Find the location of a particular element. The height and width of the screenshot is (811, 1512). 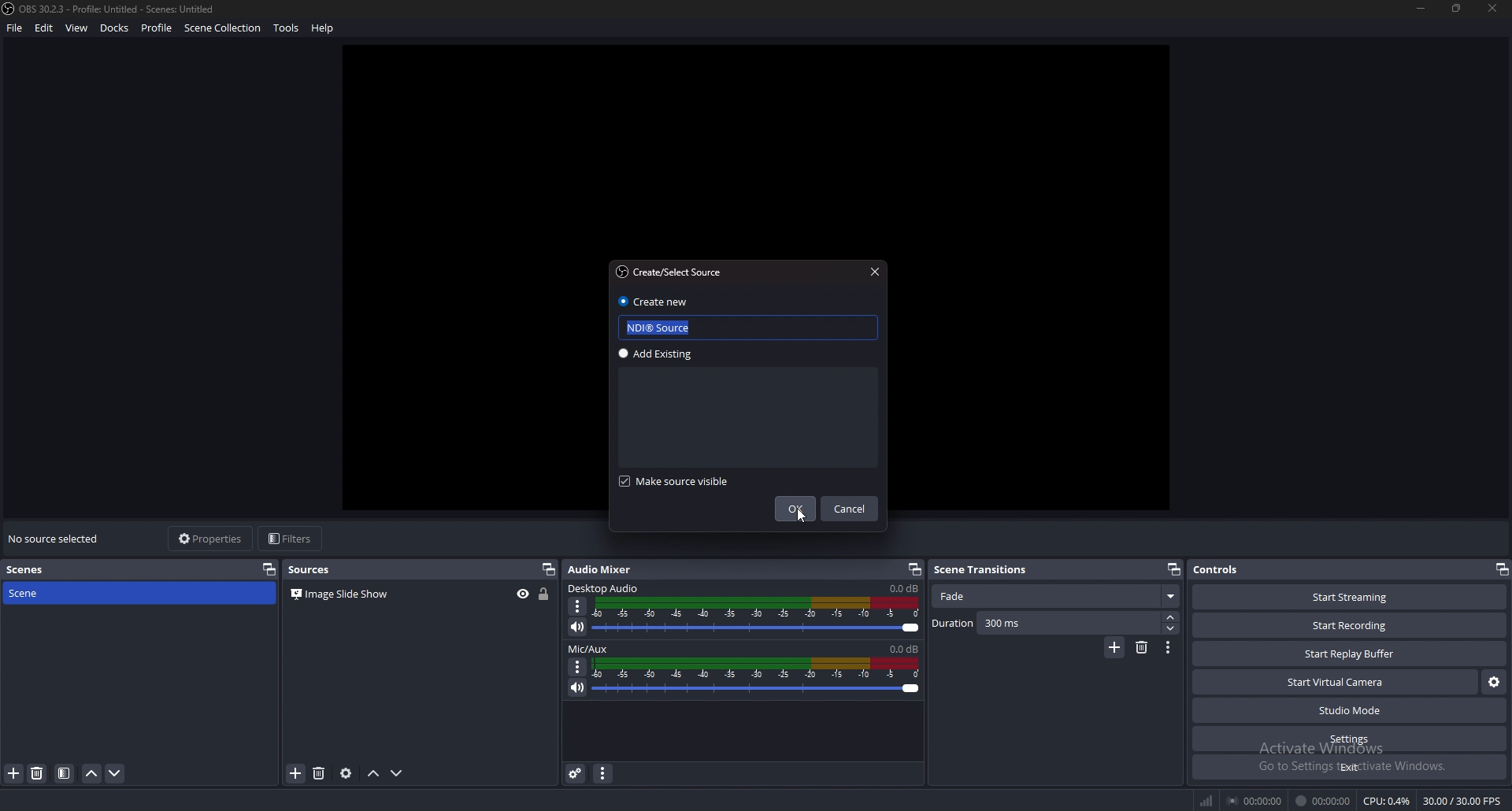

source is located at coordinates (347, 595).